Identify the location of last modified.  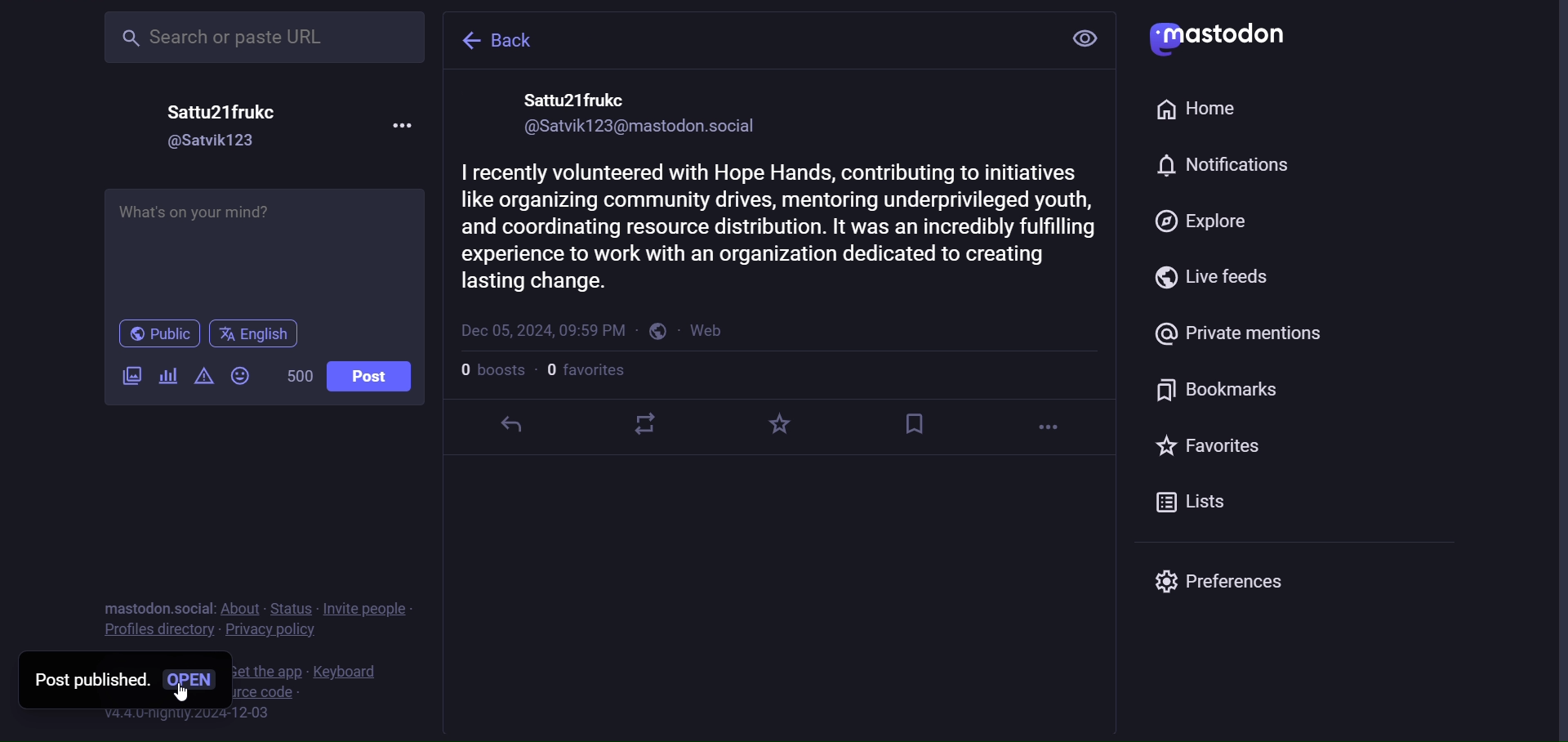
(538, 330).